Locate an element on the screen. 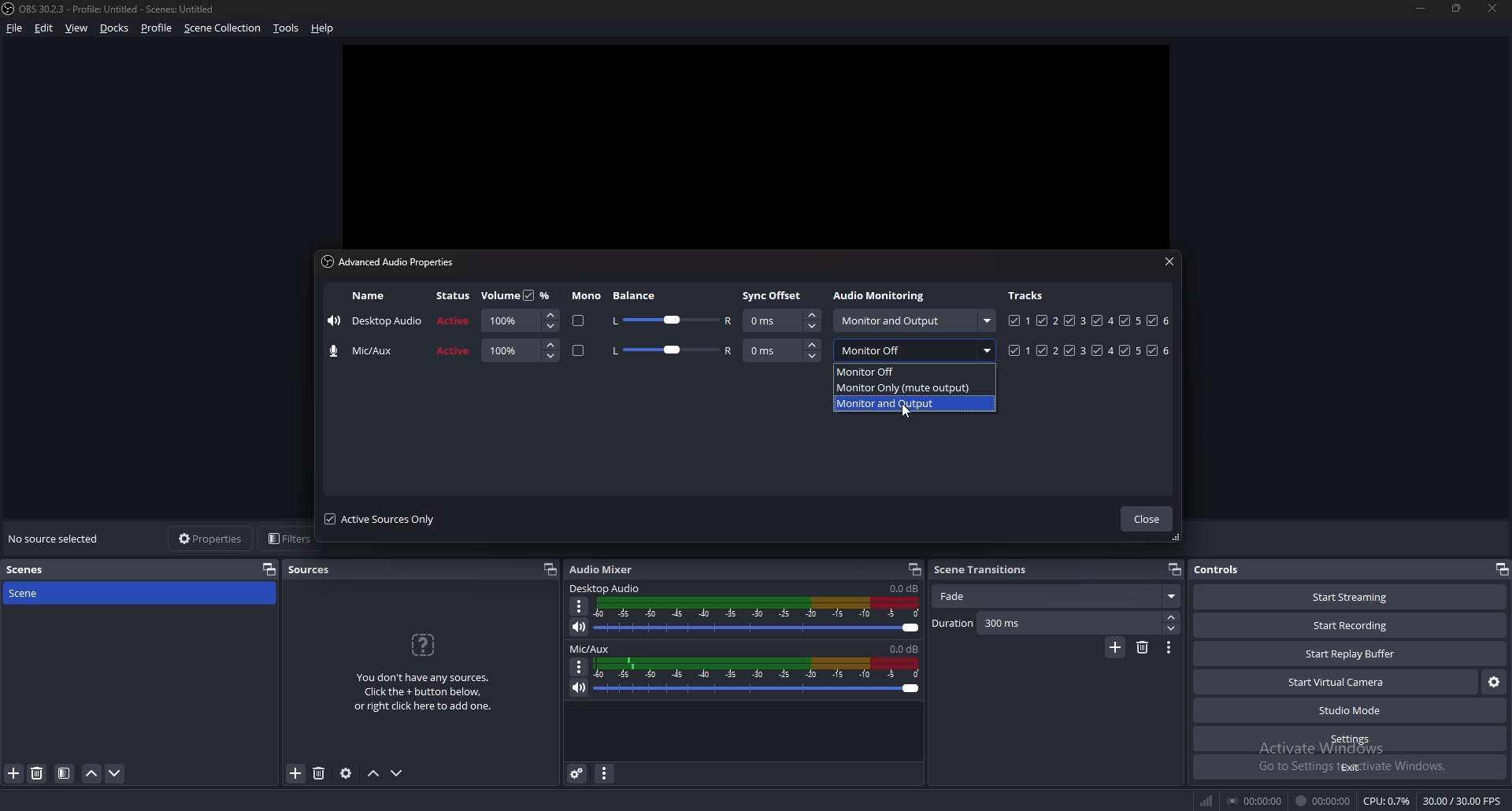 The width and height of the screenshot is (1512, 811). audio mixer is located at coordinates (607, 570).